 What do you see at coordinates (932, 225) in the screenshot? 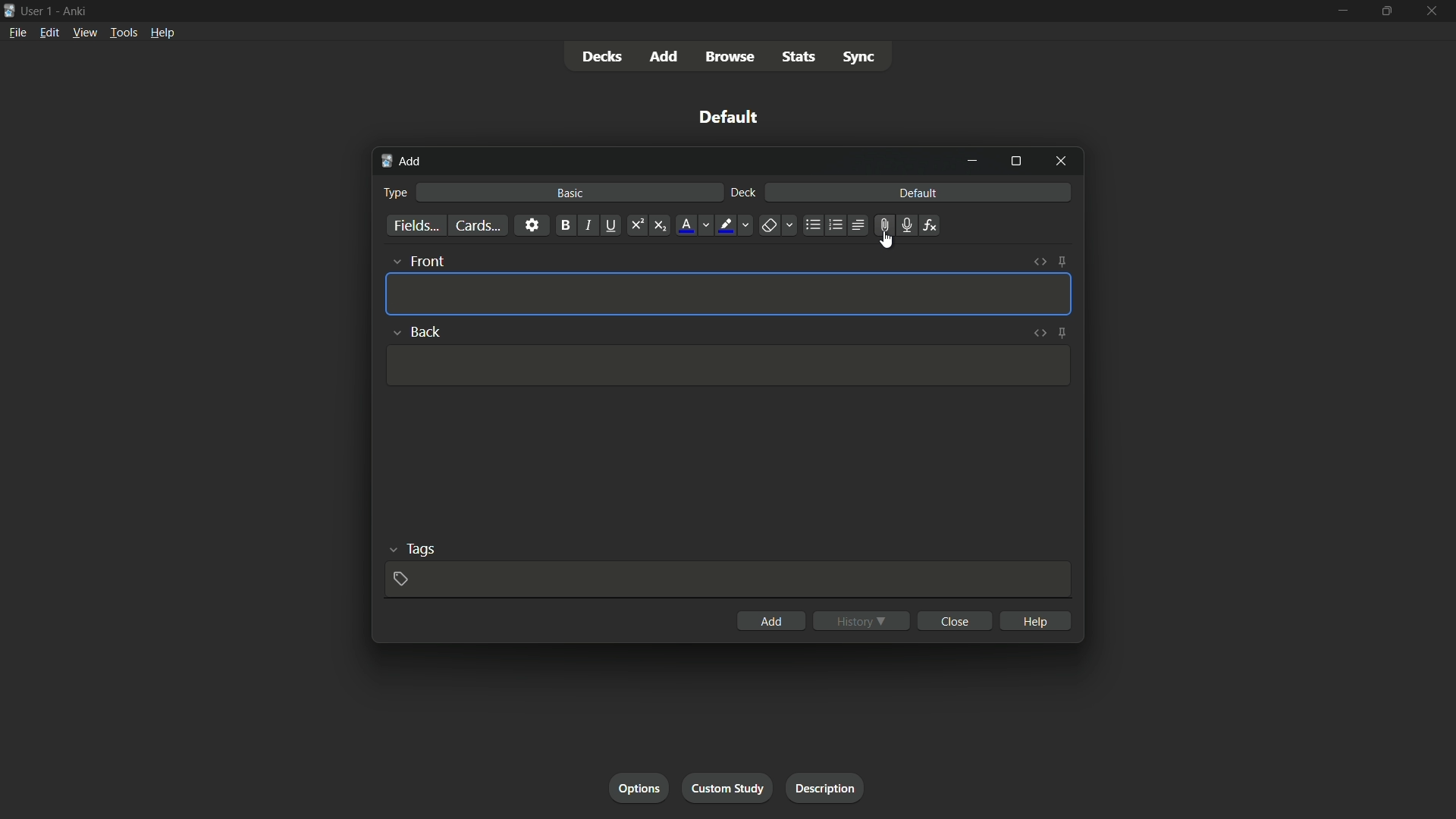
I see `equation` at bounding box center [932, 225].